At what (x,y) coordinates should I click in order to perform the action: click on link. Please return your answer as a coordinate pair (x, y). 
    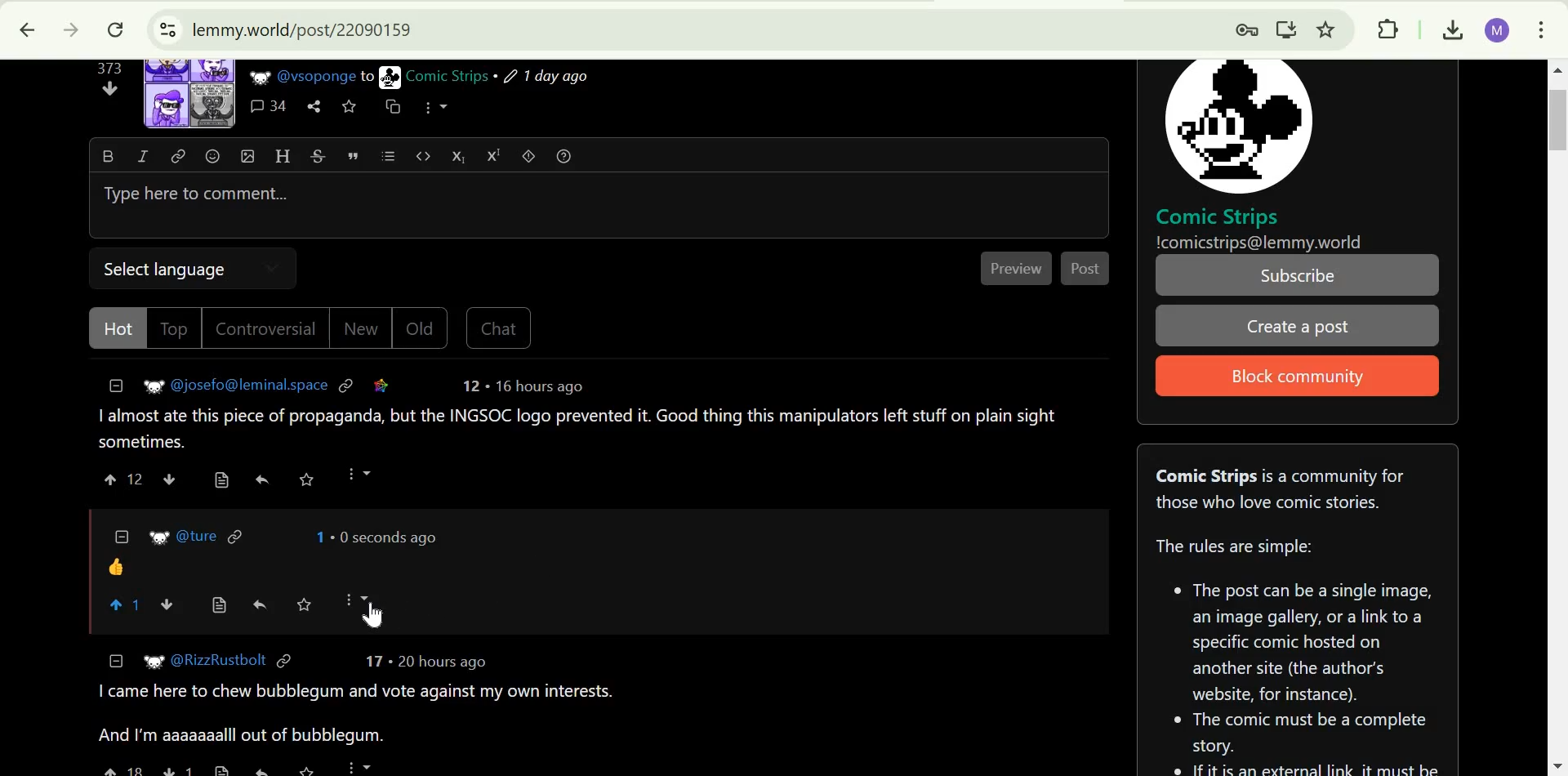
    Looking at the image, I should click on (381, 385).